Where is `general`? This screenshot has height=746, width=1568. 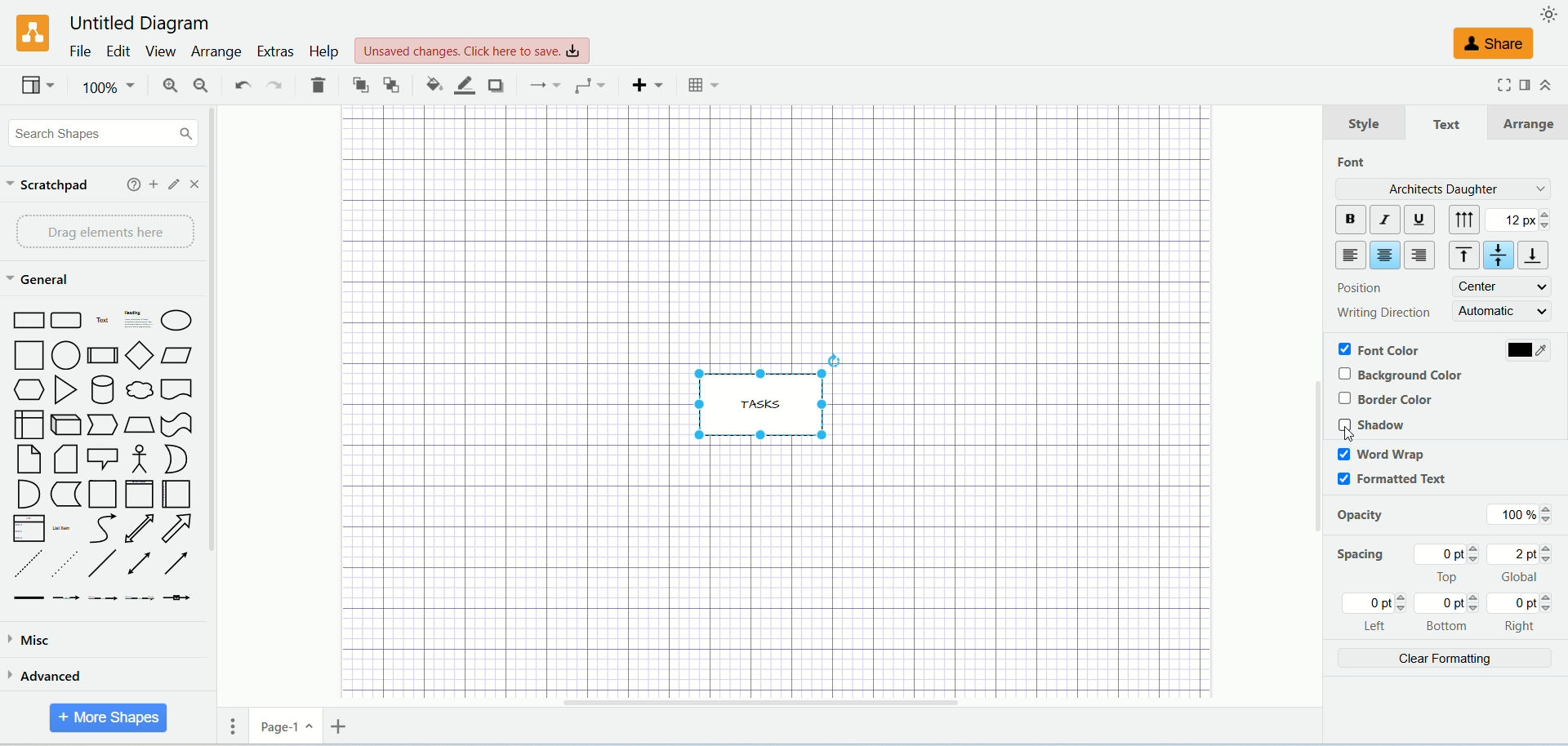
general is located at coordinates (37, 279).